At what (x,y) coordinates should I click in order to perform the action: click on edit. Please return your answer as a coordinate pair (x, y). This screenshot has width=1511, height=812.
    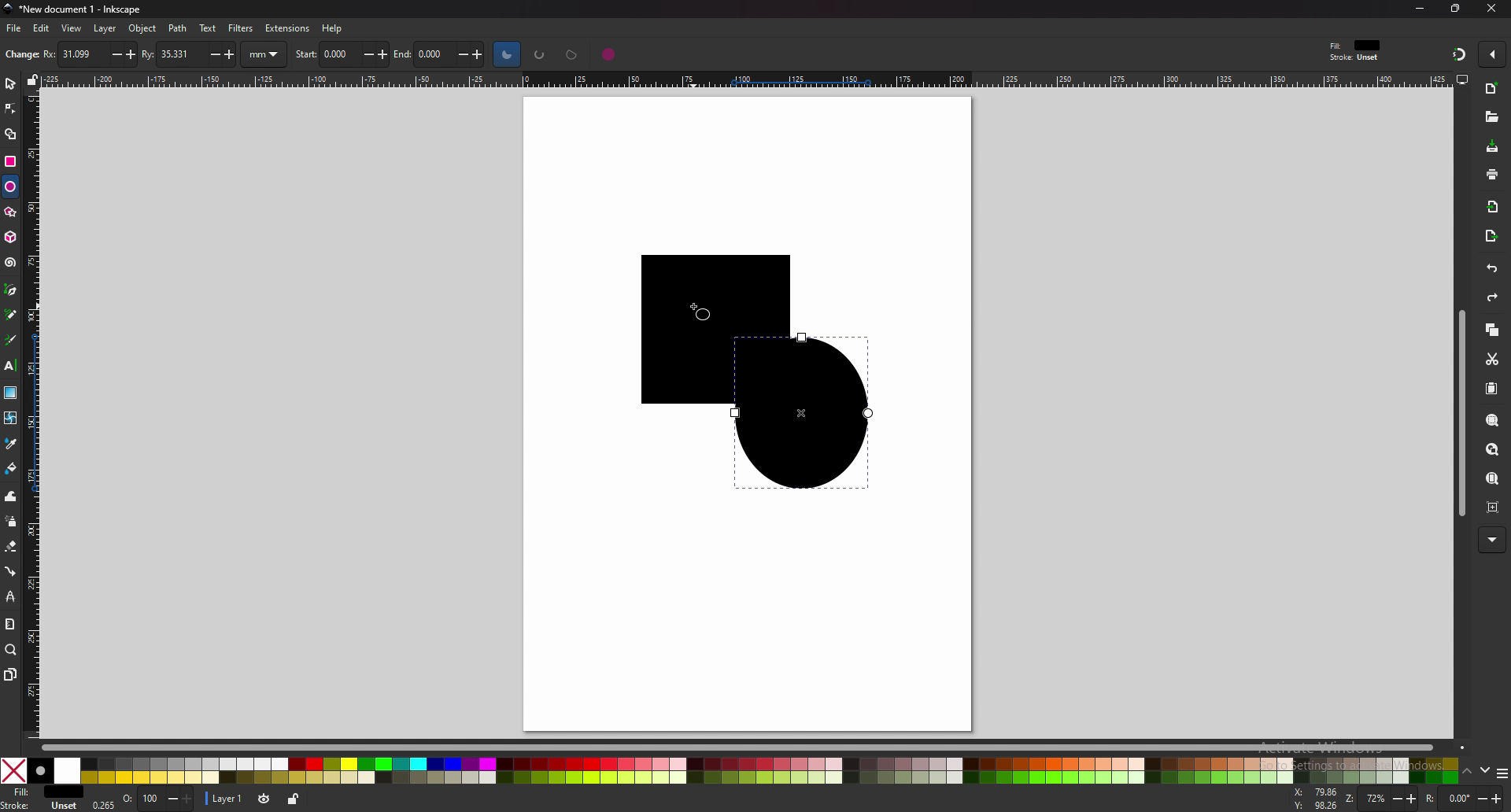
    Looking at the image, I should click on (42, 29).